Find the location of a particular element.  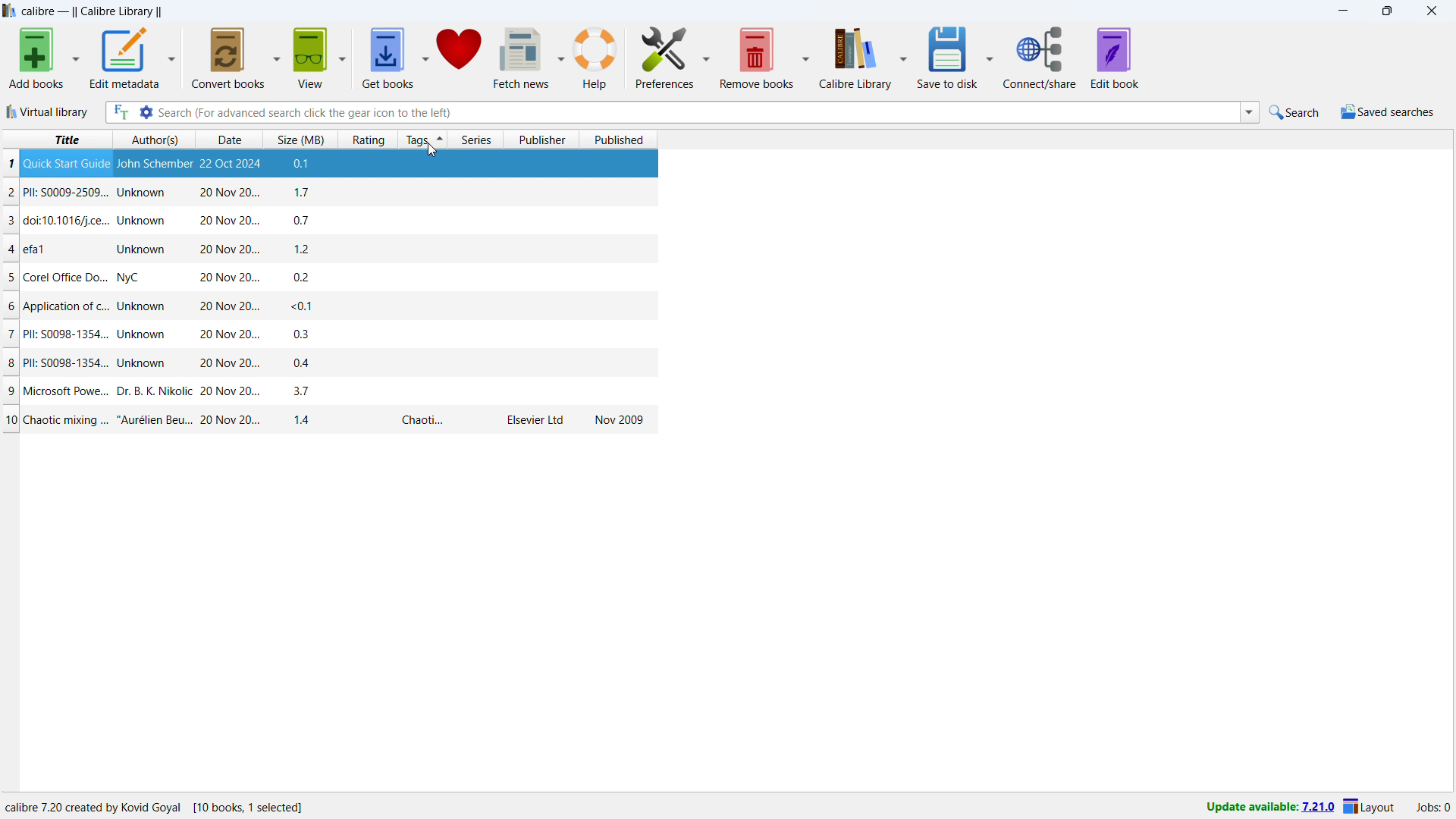

edit metadata options is located at coordinates (171, 58).